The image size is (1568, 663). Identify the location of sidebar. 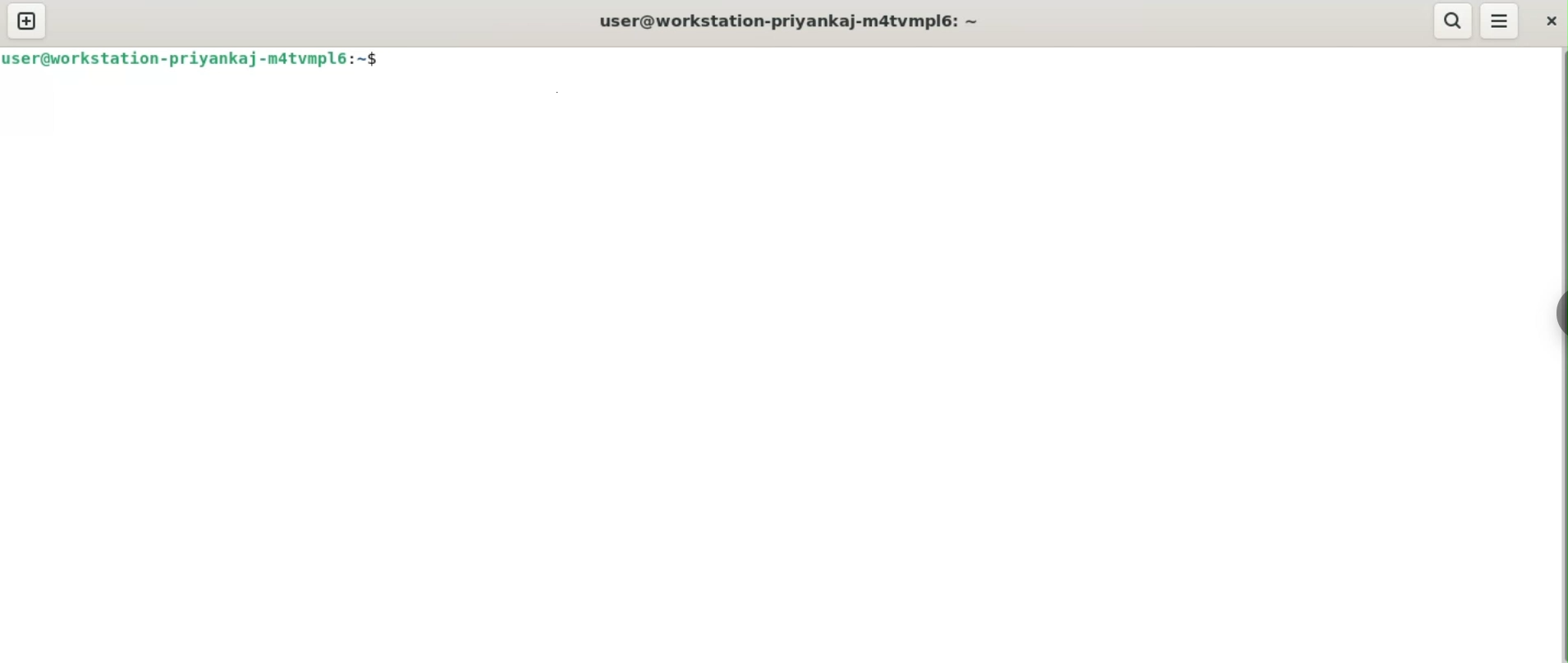
(1556, 313).